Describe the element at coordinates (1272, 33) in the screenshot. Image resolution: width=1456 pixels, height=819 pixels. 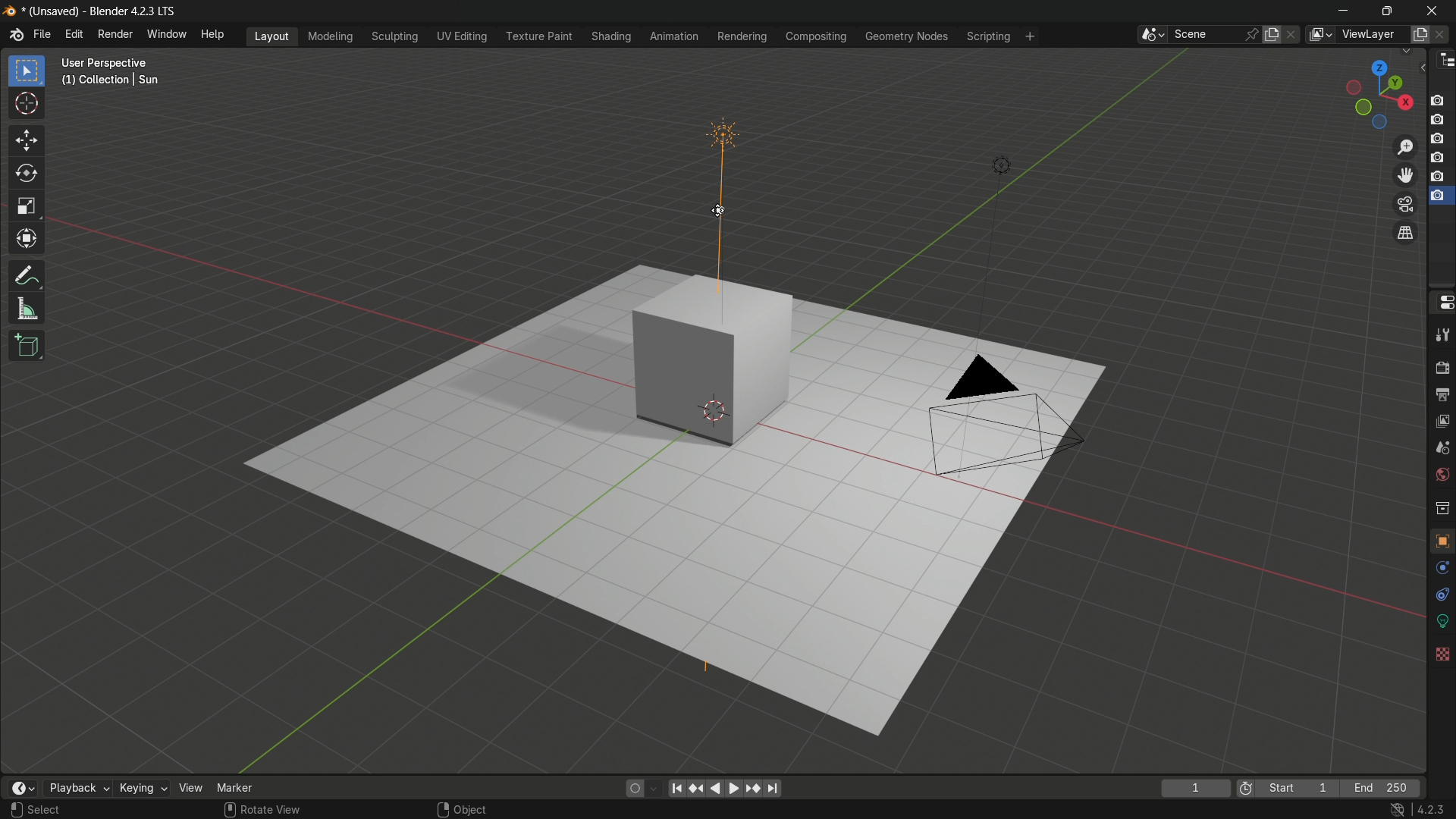
I see `new scene` at that location.